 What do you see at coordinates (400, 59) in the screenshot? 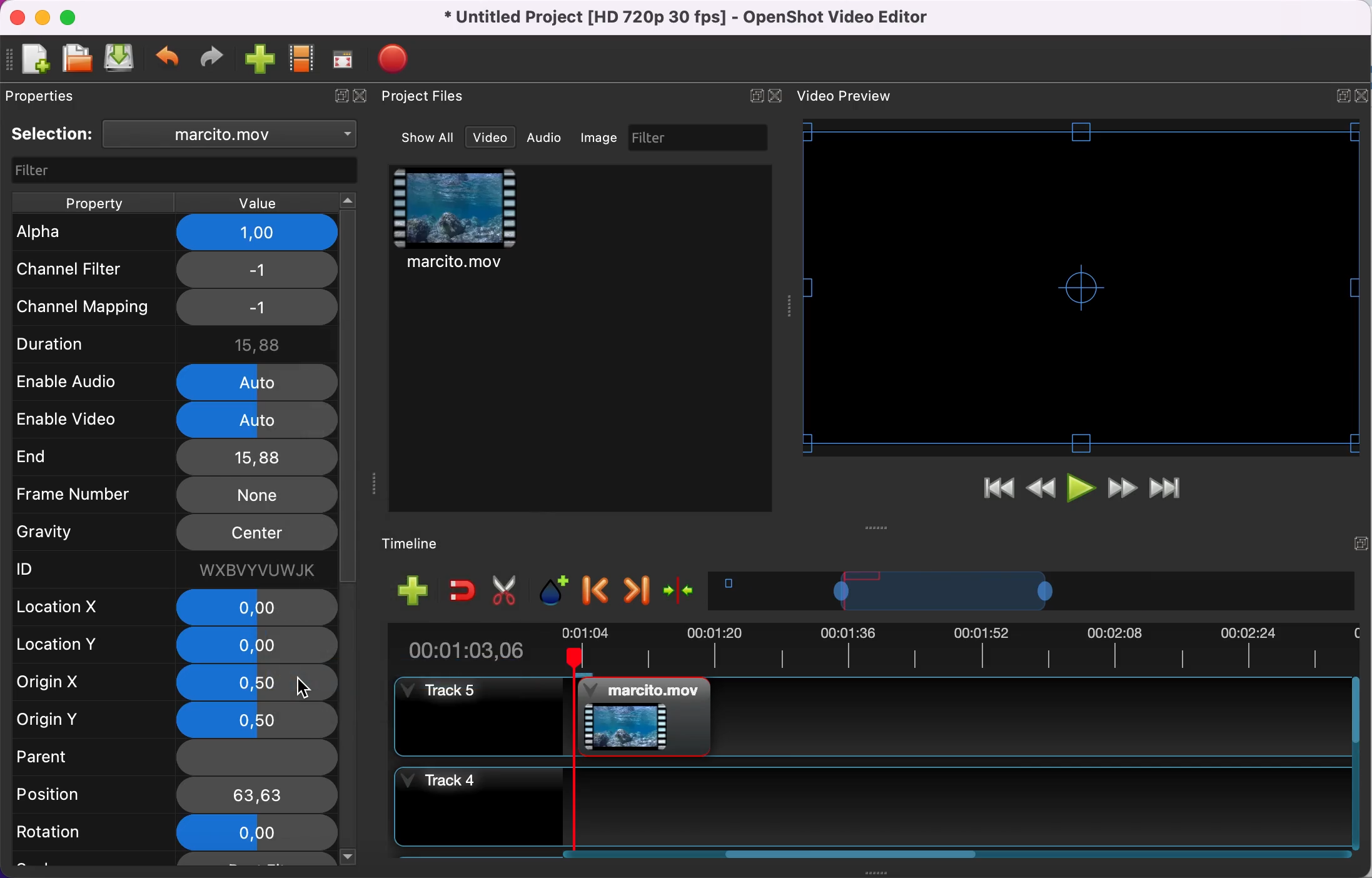
I see `export file` at bounding box center [400, 59].